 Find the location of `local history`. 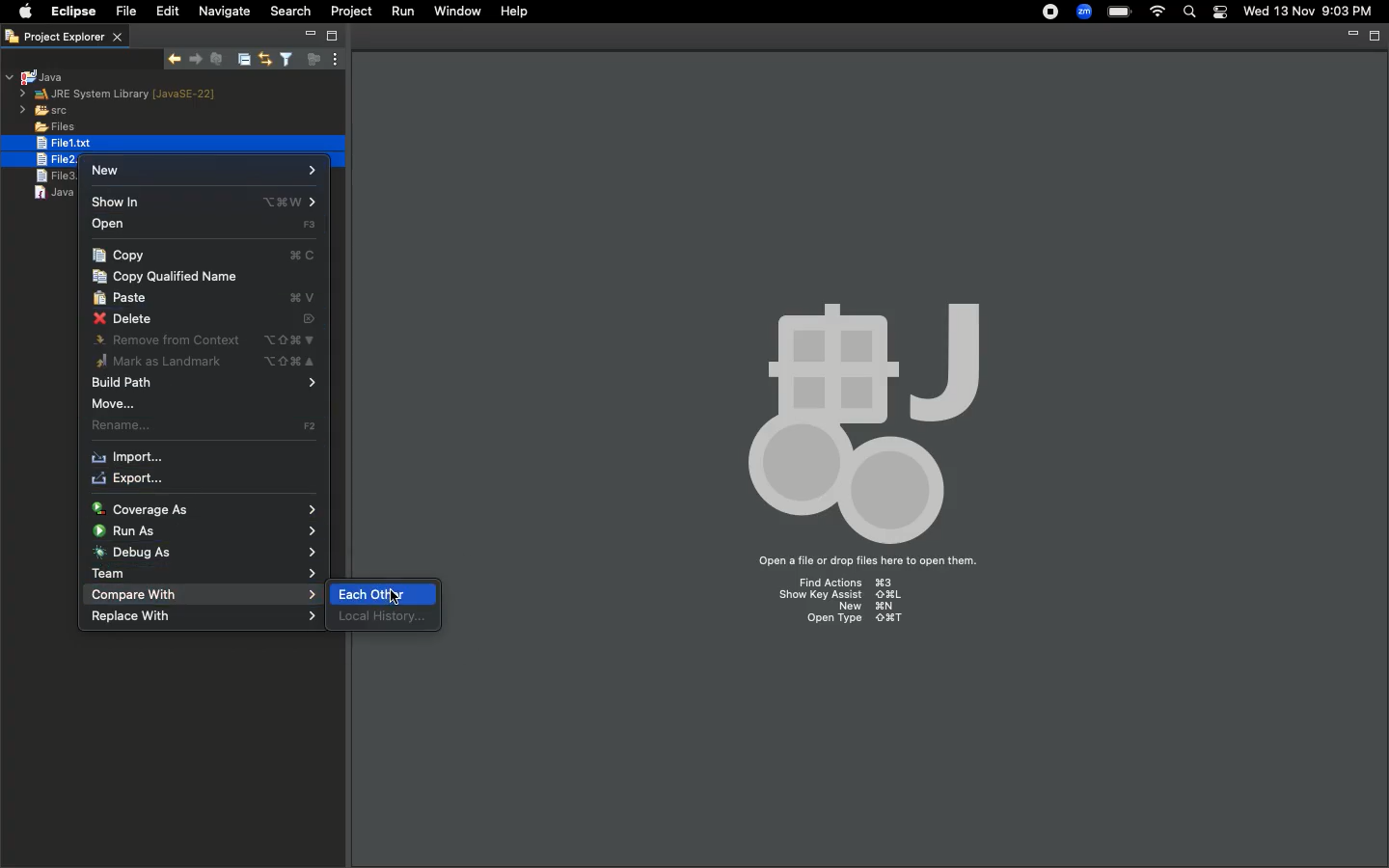

local history is located at coordinates (390, 625).